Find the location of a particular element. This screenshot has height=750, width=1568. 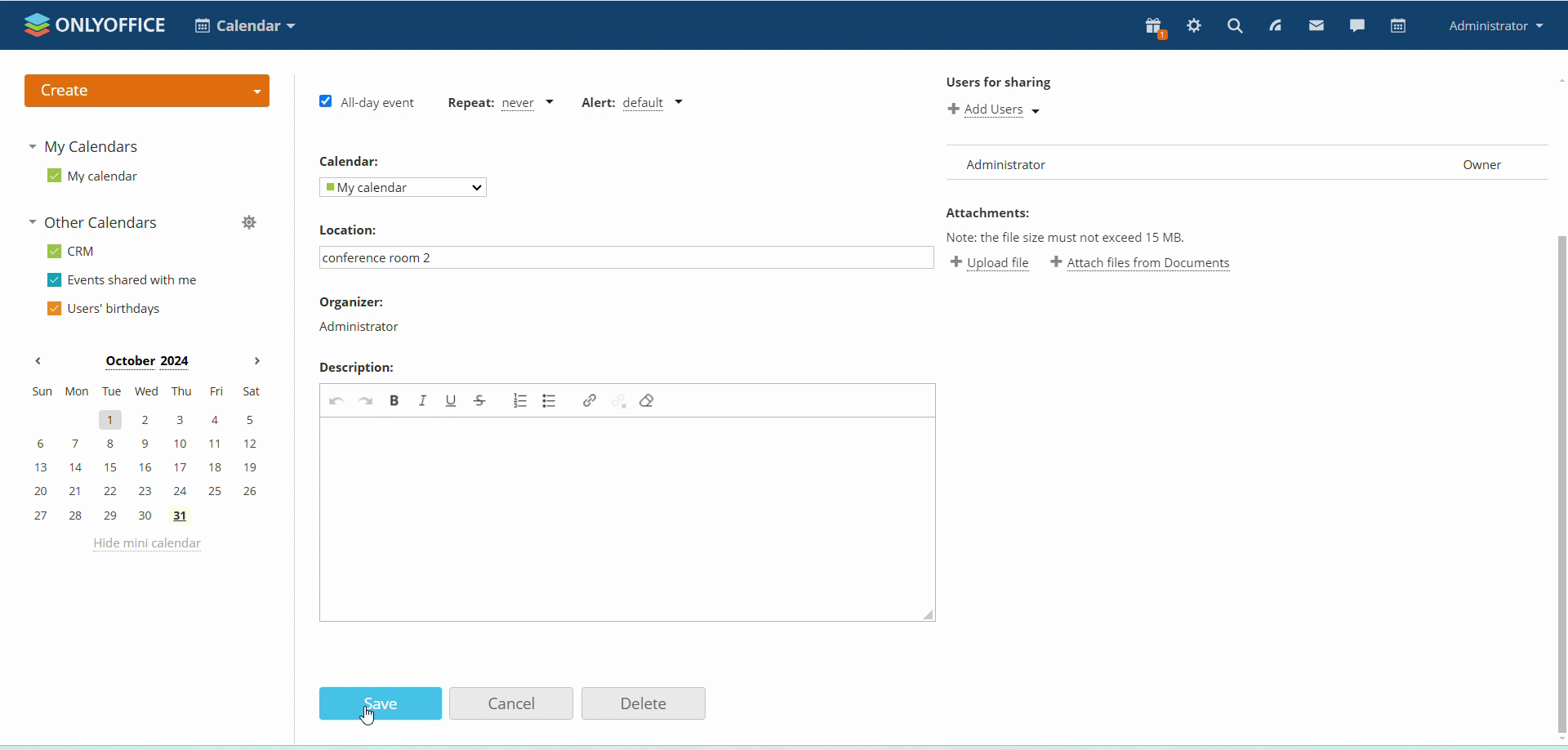

user list is located at coordinates (1246, 163).